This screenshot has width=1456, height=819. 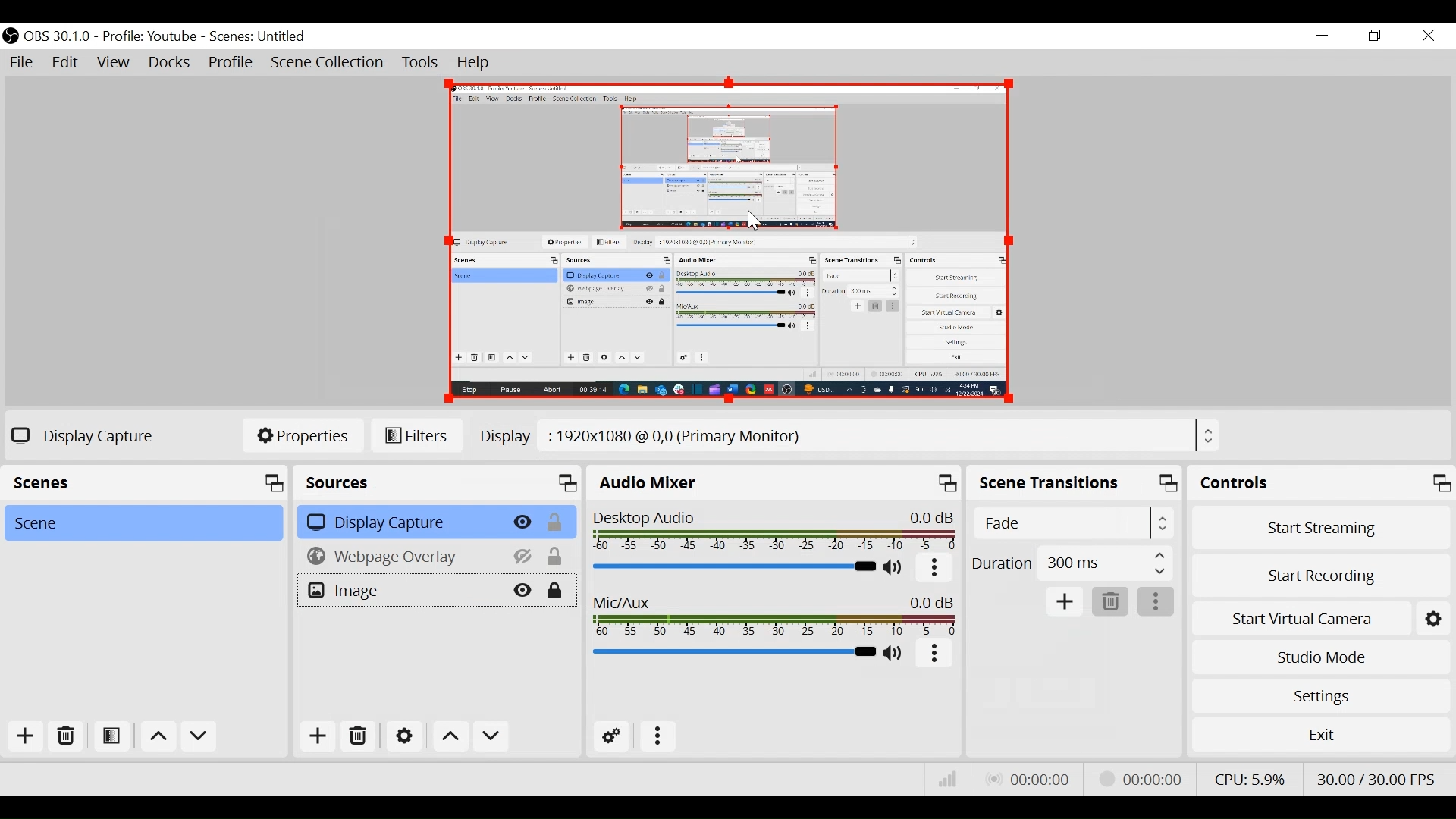 I want to click on Settings, so click(x=1432, y=620).